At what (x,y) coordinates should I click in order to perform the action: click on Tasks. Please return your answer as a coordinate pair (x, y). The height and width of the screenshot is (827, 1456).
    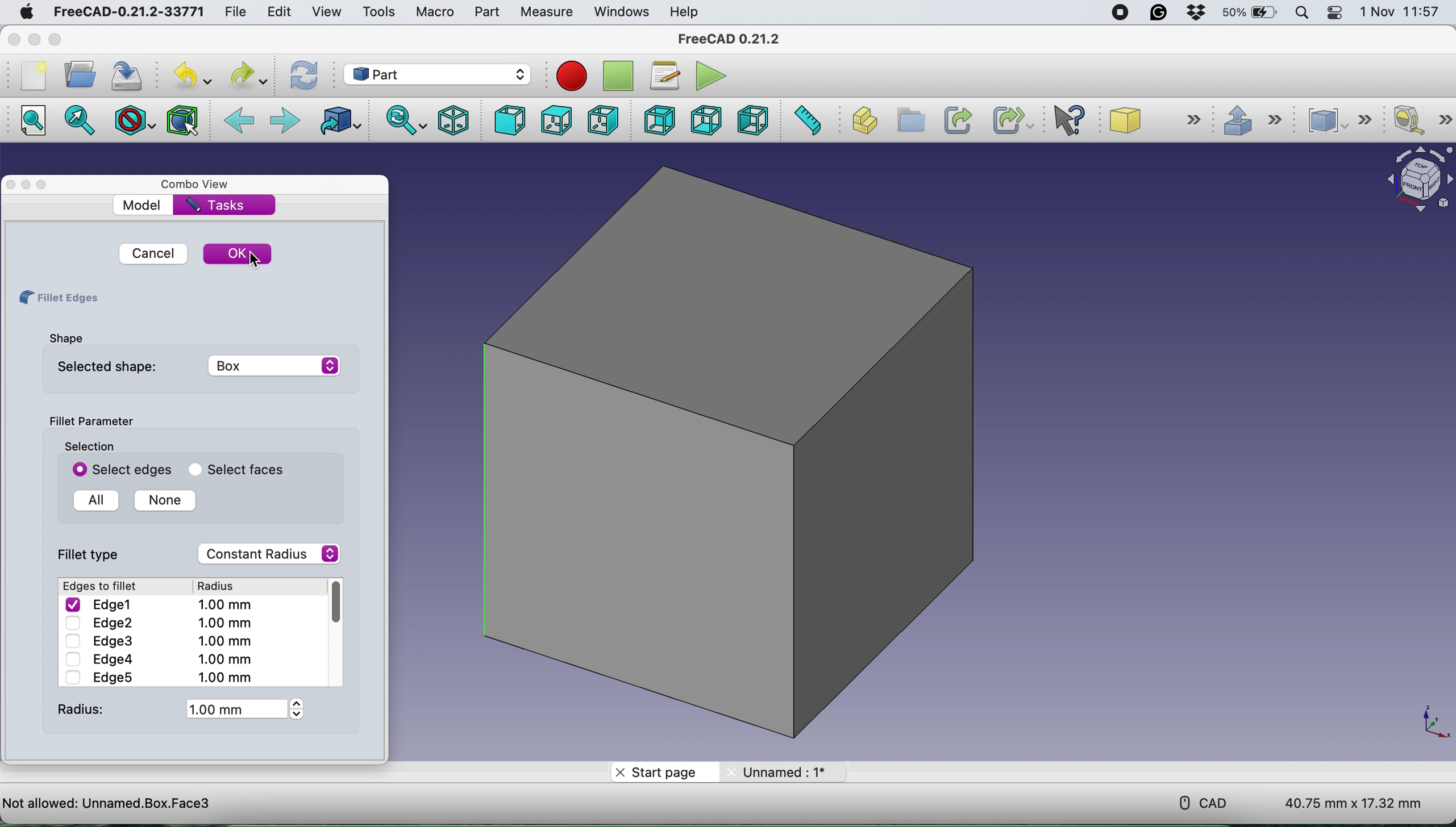
    Looking at the image, I should click on (217, 204).